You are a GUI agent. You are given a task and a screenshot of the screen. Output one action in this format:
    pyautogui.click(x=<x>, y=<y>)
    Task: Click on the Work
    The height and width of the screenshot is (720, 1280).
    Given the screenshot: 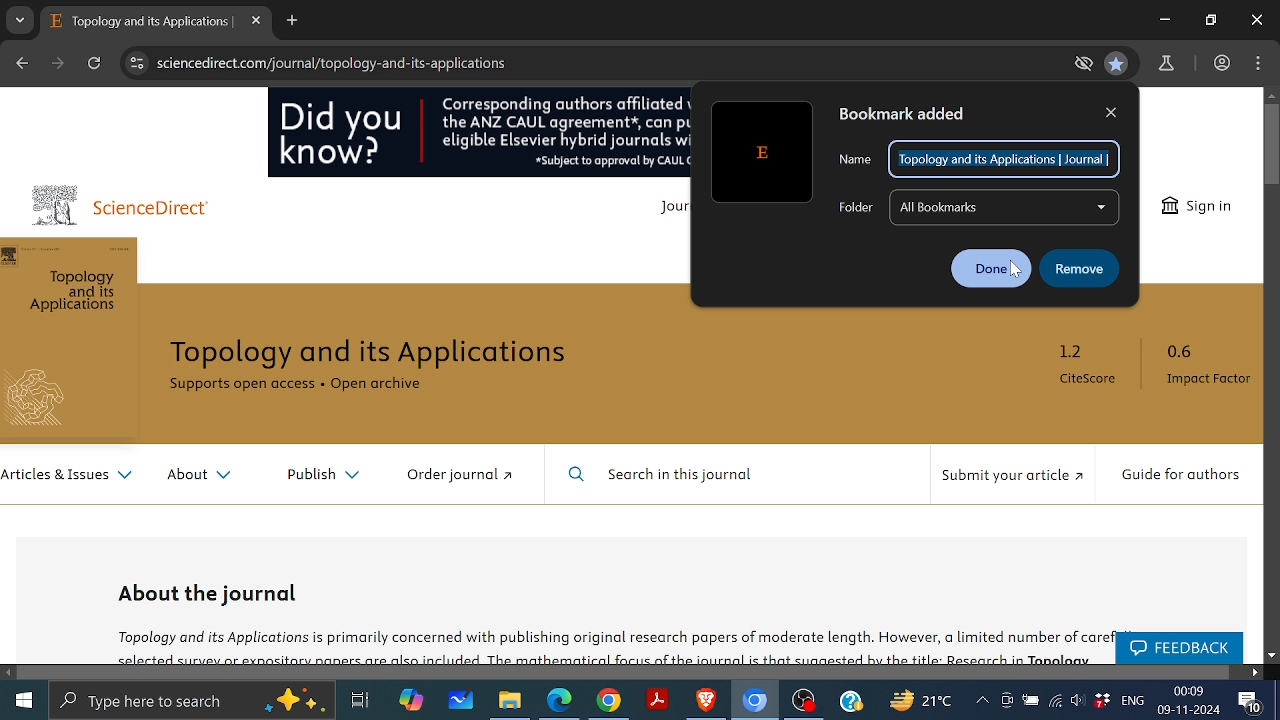 What is the action you would take?
    pyautogui.click(x=1221, y=62)
    